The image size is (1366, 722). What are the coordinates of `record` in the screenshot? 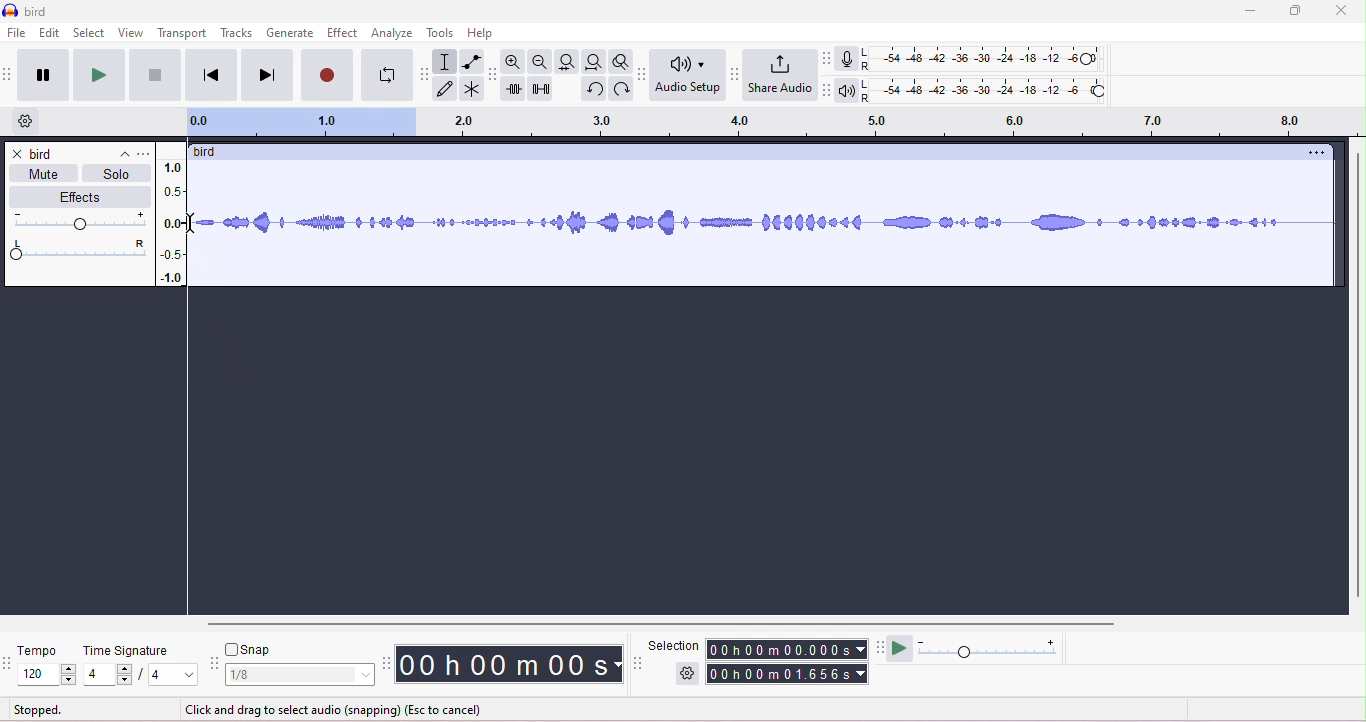 It's located at (326, 75).